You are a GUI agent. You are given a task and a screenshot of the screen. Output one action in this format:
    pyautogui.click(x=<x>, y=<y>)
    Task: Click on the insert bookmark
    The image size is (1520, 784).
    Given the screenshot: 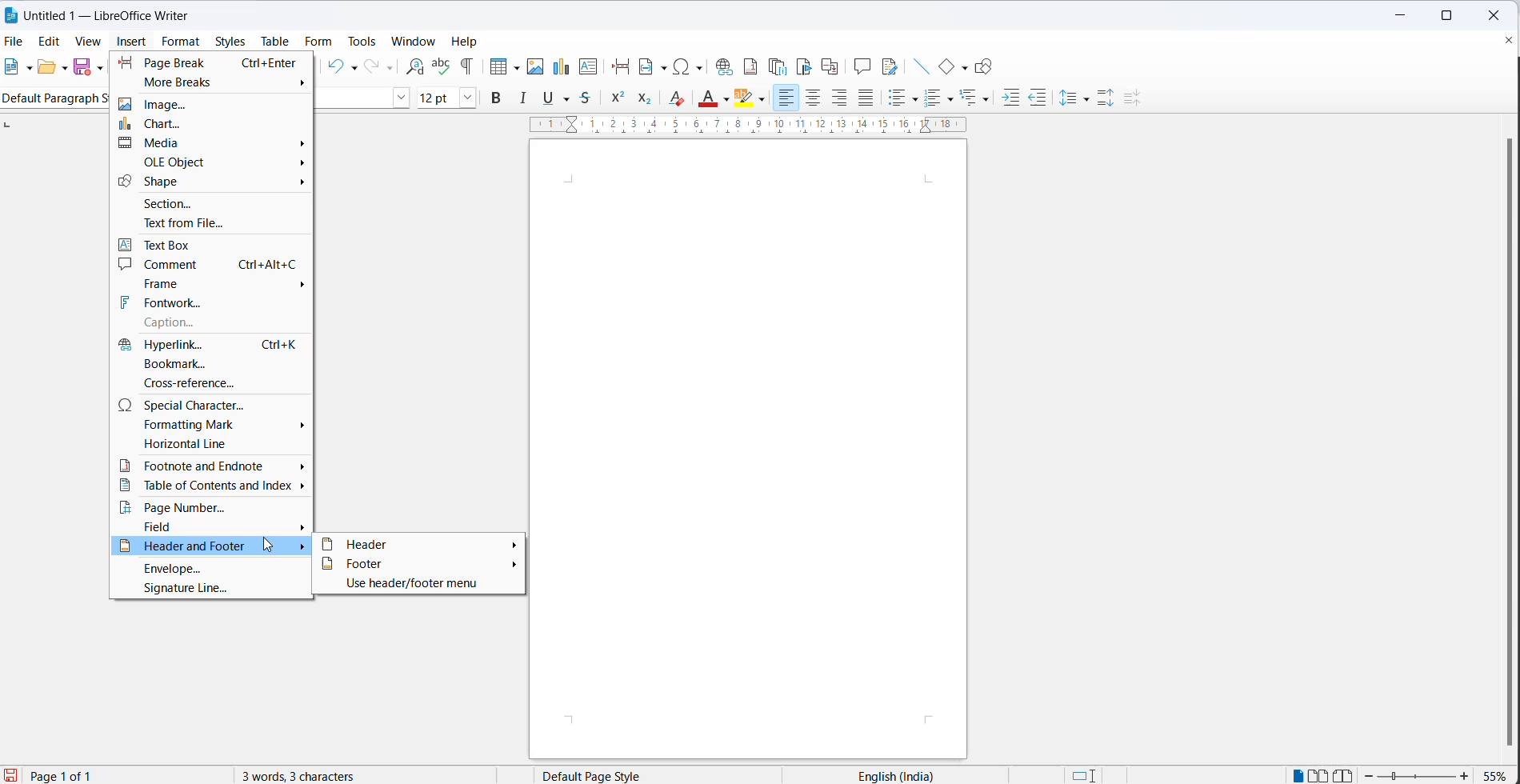 What is the action you would take?
    pyautogui.click(x=802, y=66)
    